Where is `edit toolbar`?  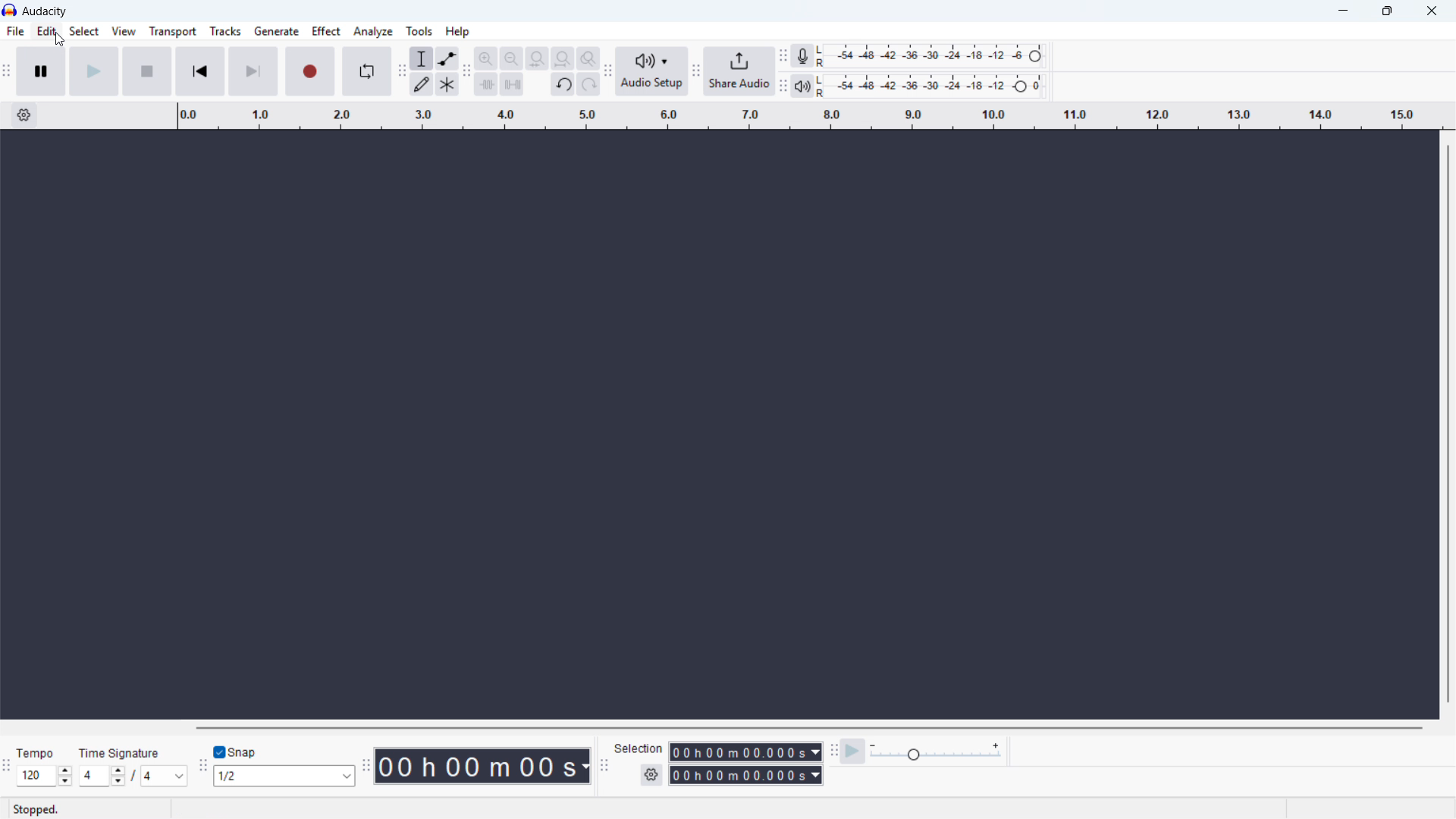
edit toolbar is located at coordinates (467, 71).